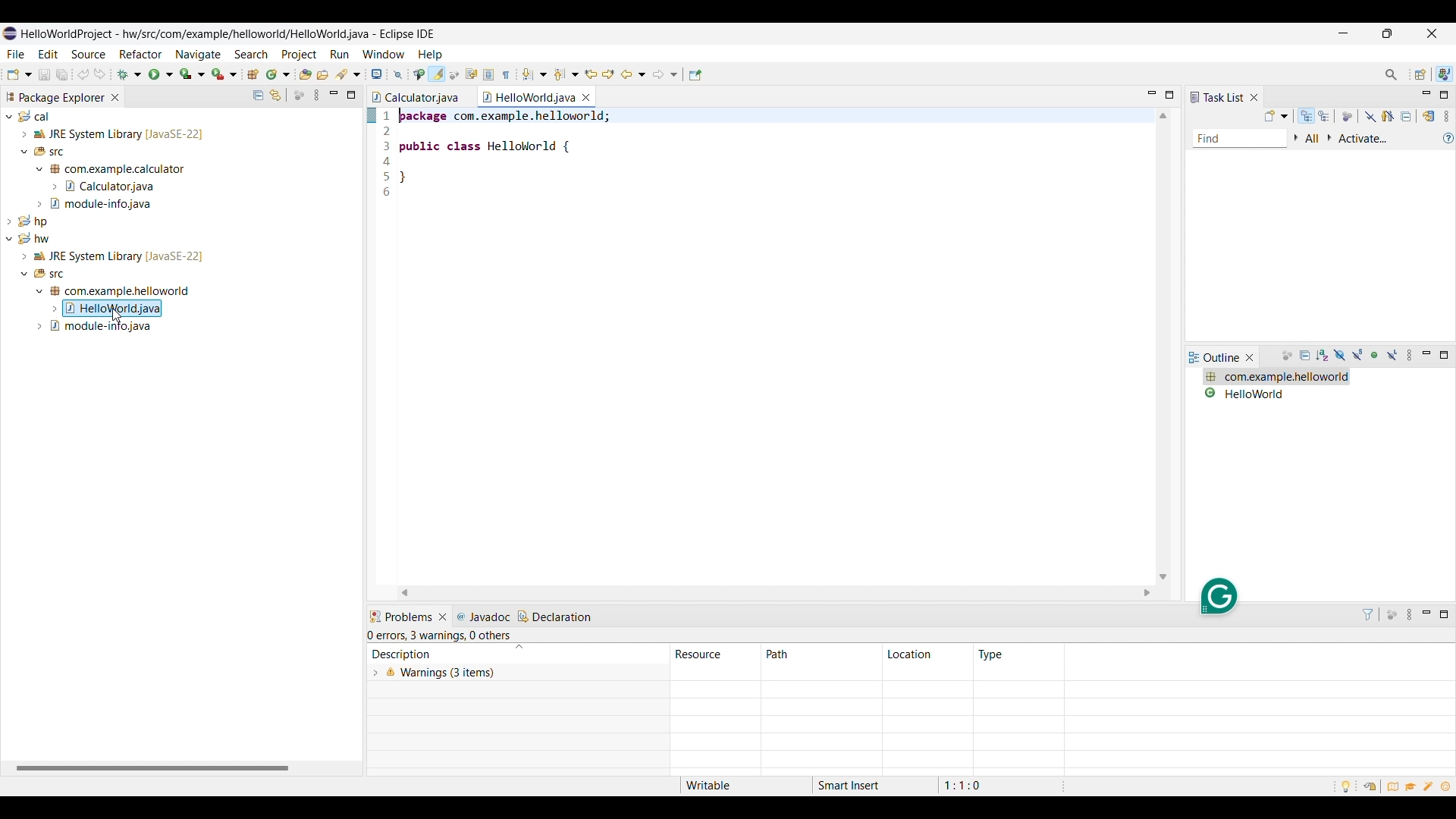  Describe the element at coordinates (1370, 117) in the screenshot. I see `Hide completed tasks` at that location.